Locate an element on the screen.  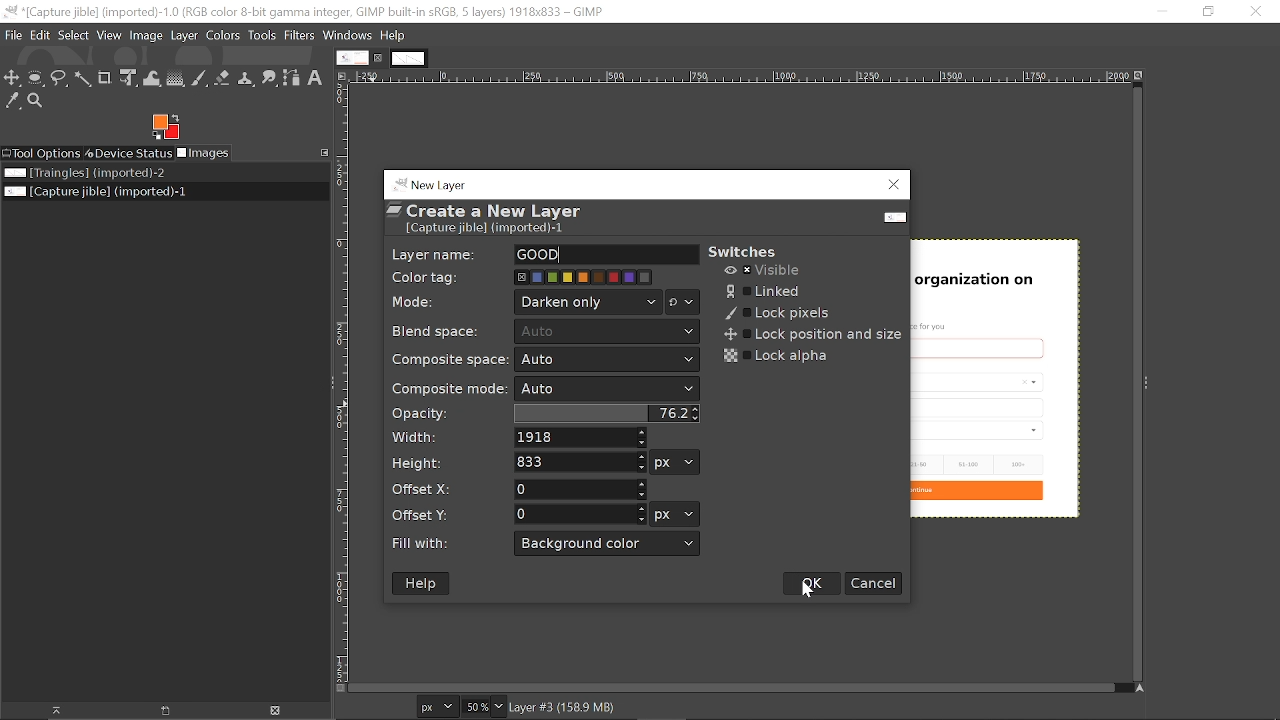
File is located at coordinates (11, 34).